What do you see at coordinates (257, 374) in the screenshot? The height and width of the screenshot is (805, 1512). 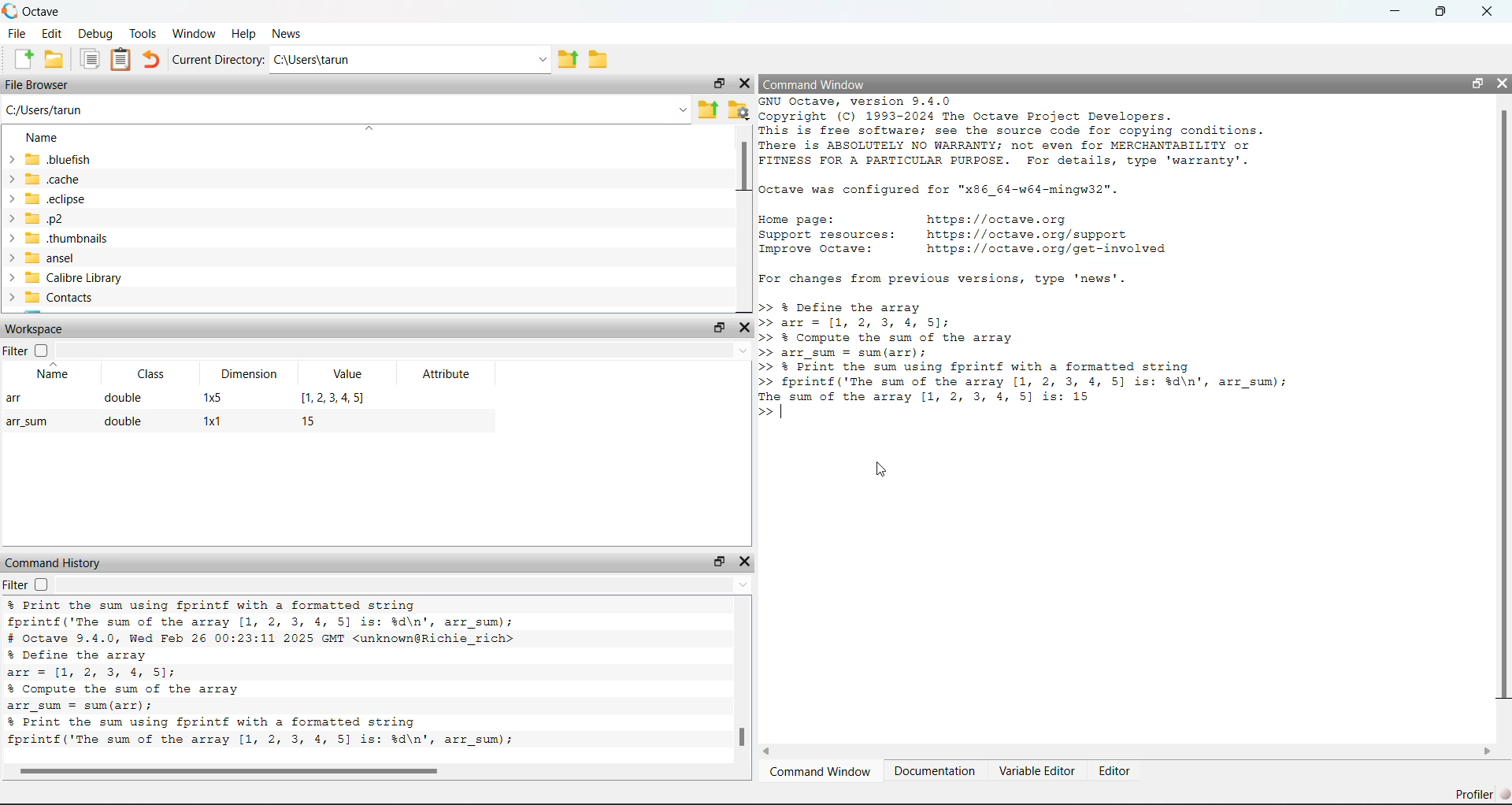 I see `Dimension` at bounding box center [257, 374].